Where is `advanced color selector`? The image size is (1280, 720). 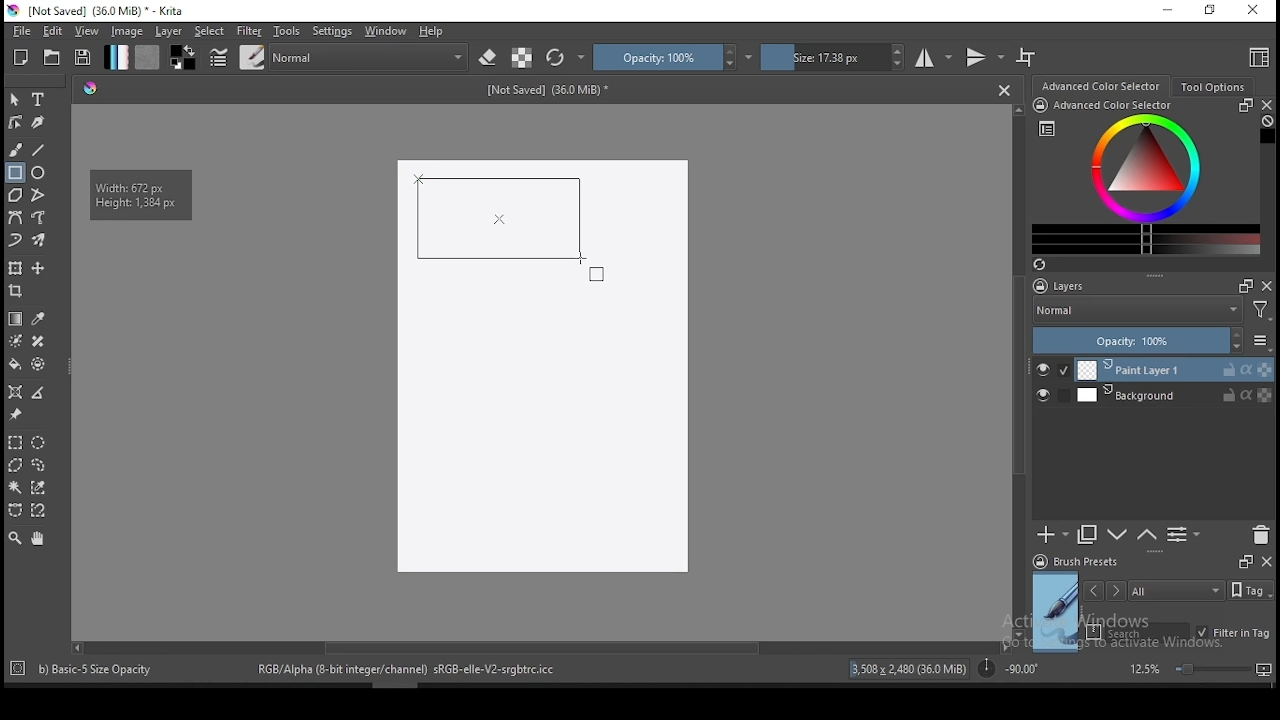 advanced color selector is located at coordinates (1142, 176).